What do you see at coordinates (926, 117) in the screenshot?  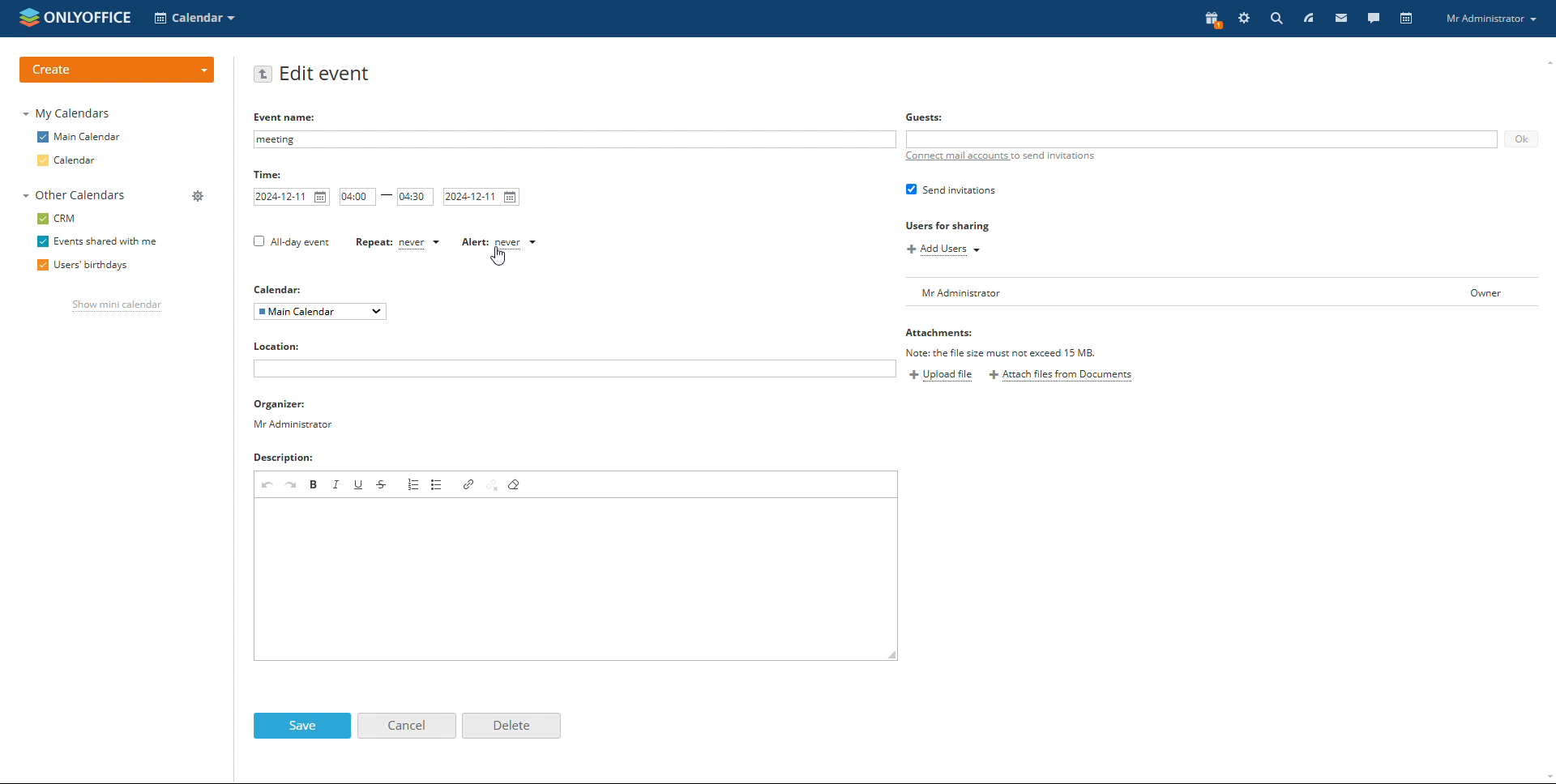 I see `` at bounding box center [926, 117].